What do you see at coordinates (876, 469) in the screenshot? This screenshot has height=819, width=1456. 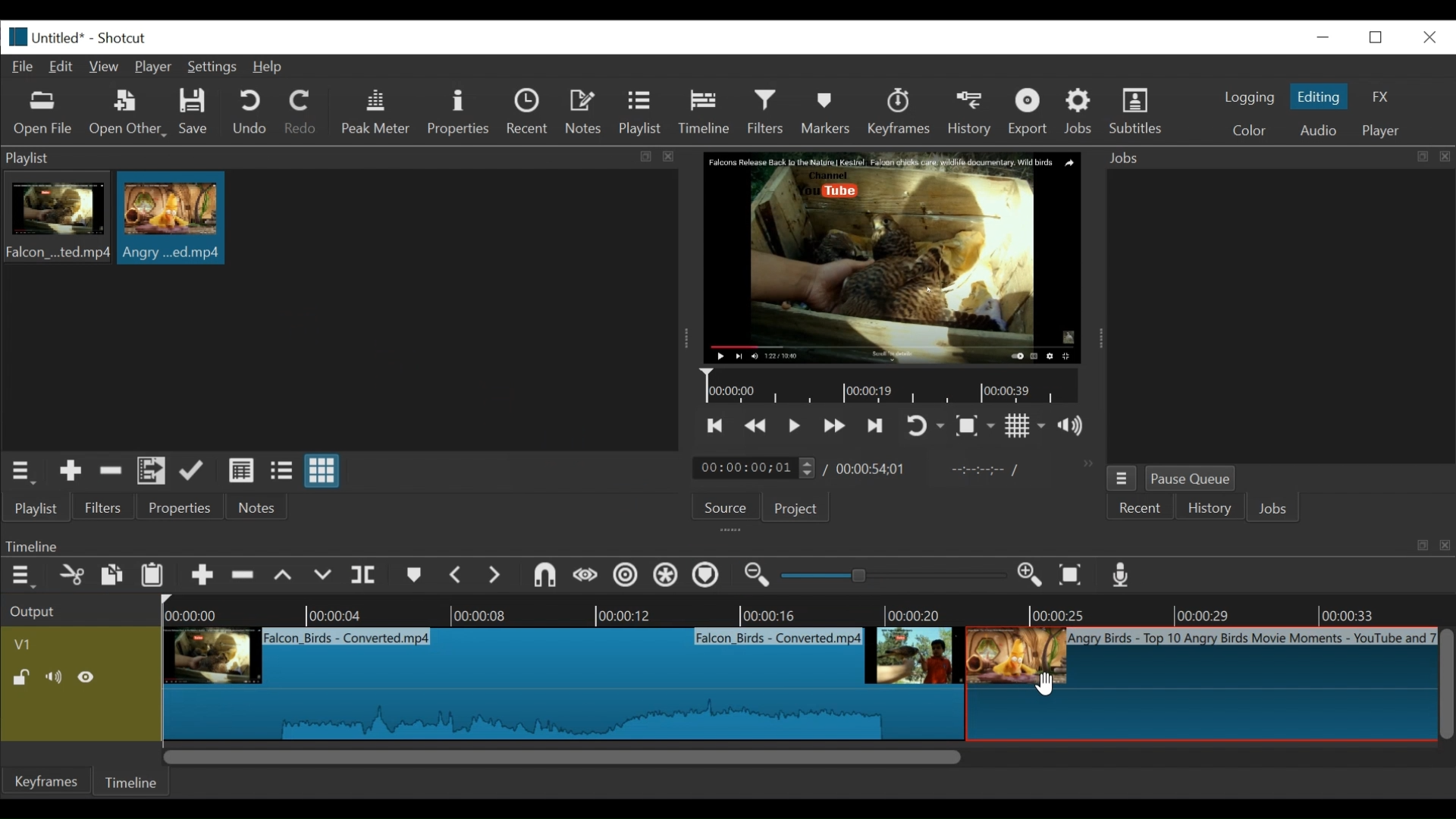 I see `Total duration` at bounding box center [876, 469].